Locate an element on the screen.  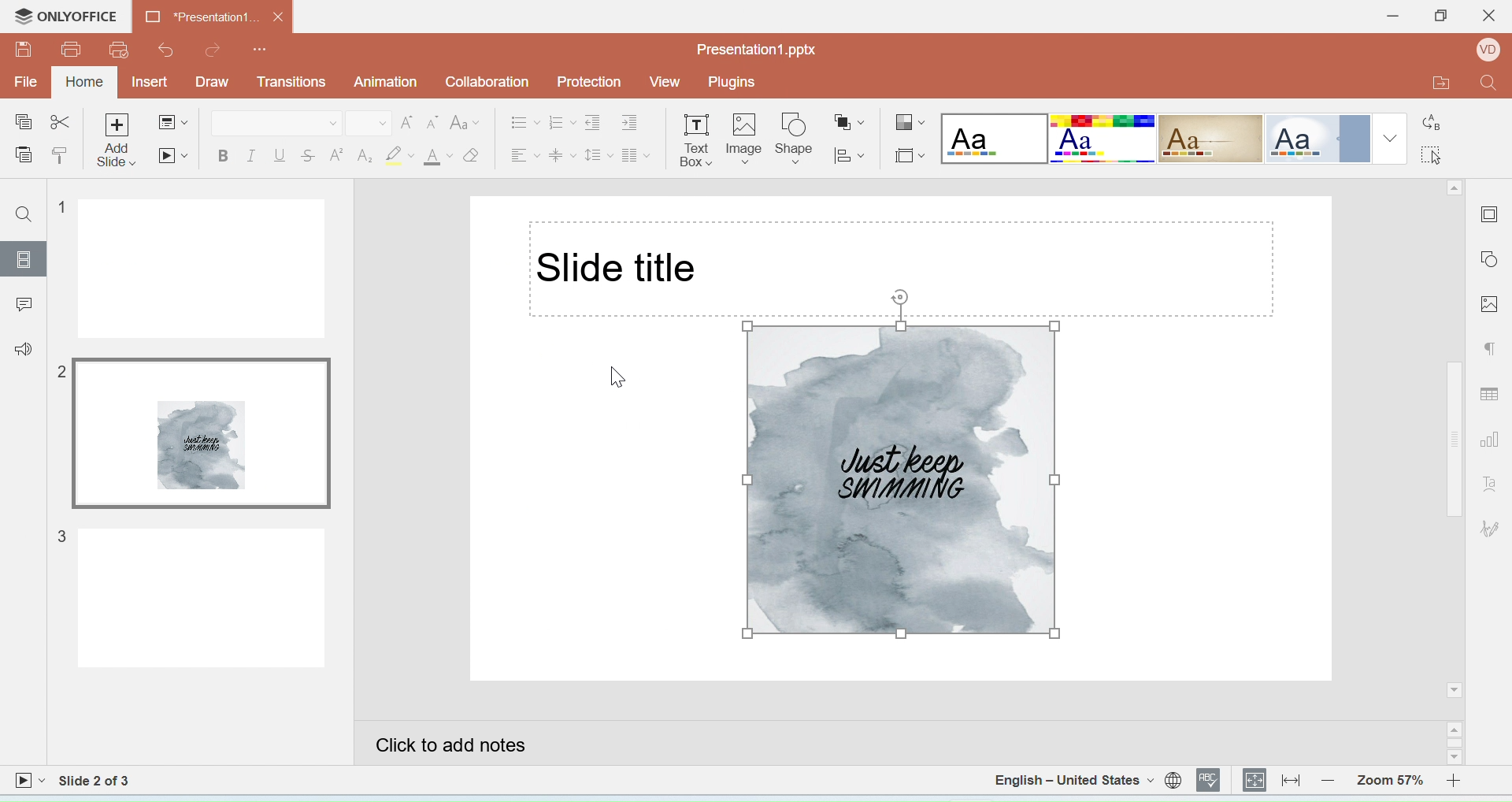
Font is located at coordinates (276, 123).